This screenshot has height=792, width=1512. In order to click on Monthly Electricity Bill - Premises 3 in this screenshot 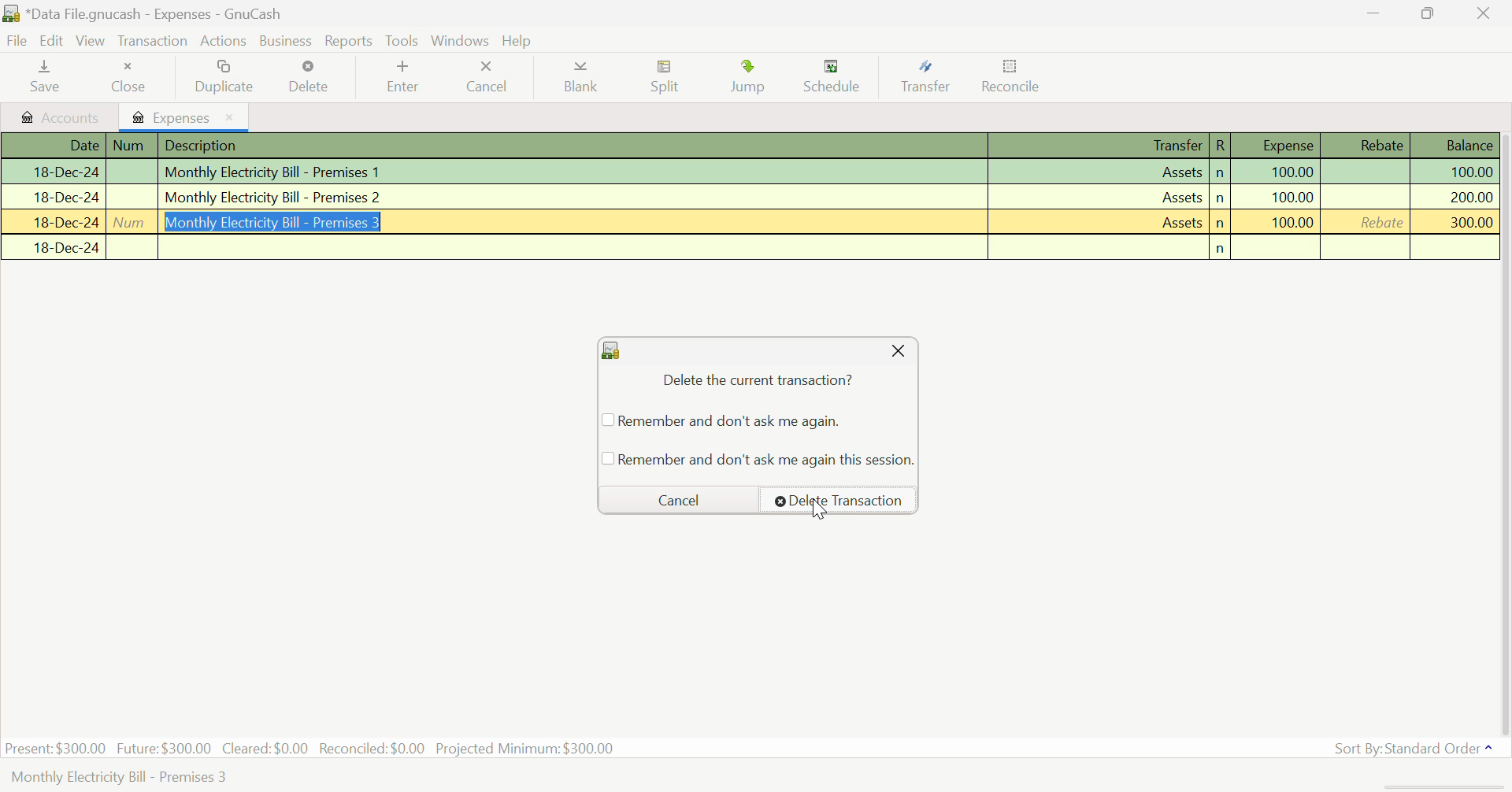, I will do `click(118, 779)`.